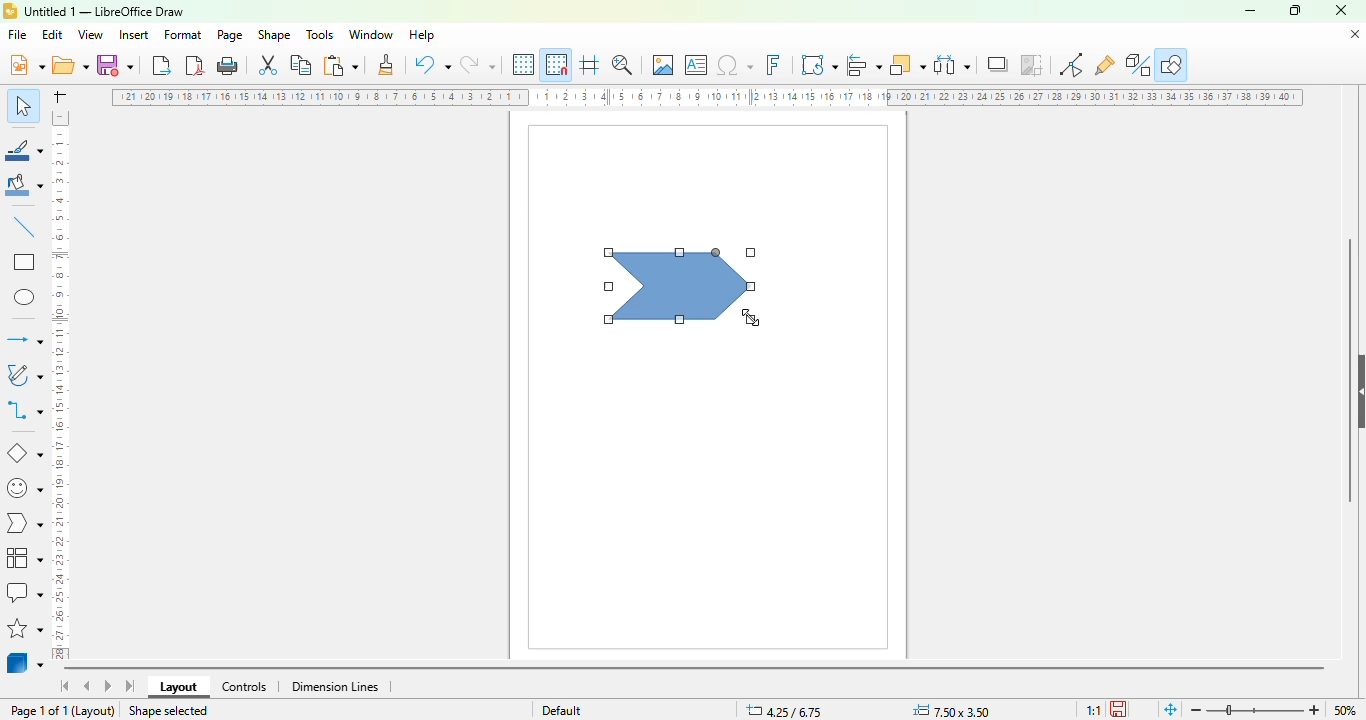 Image resolution: width=1366 pixels, height=720 pixels. I want to click on print, so click(228, 66).